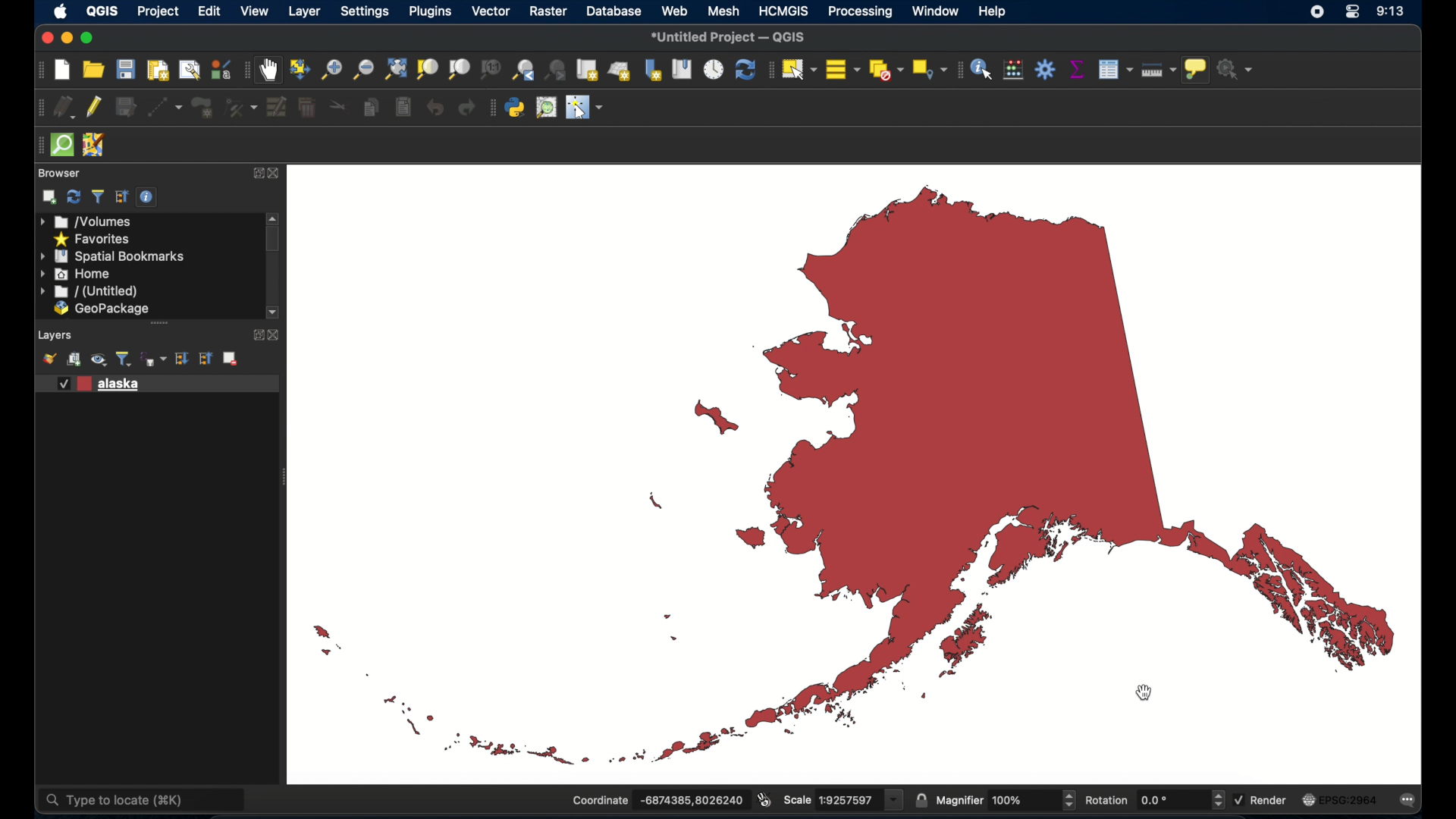 Image resolution: width=1456 pixels, height=819 pixels. What do you see at coordinates (1155, 800) in the screenshot?
I see `rotation` at bounding box center [1155, 800].